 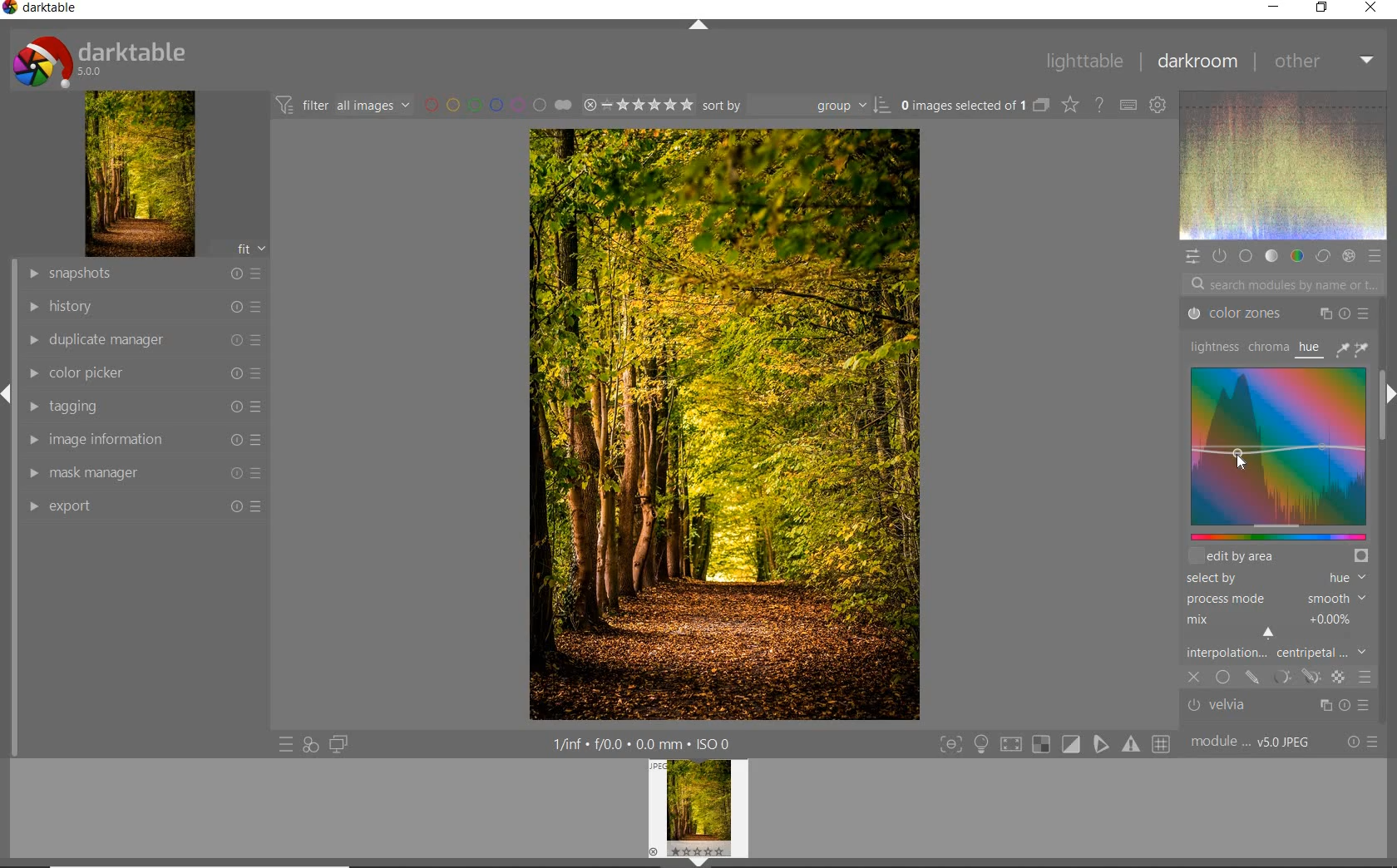 What do you see at coordinates (1054, 745) in the screenshot?
I see `TOGGLE MODES` at bounding box center [1054, 745].